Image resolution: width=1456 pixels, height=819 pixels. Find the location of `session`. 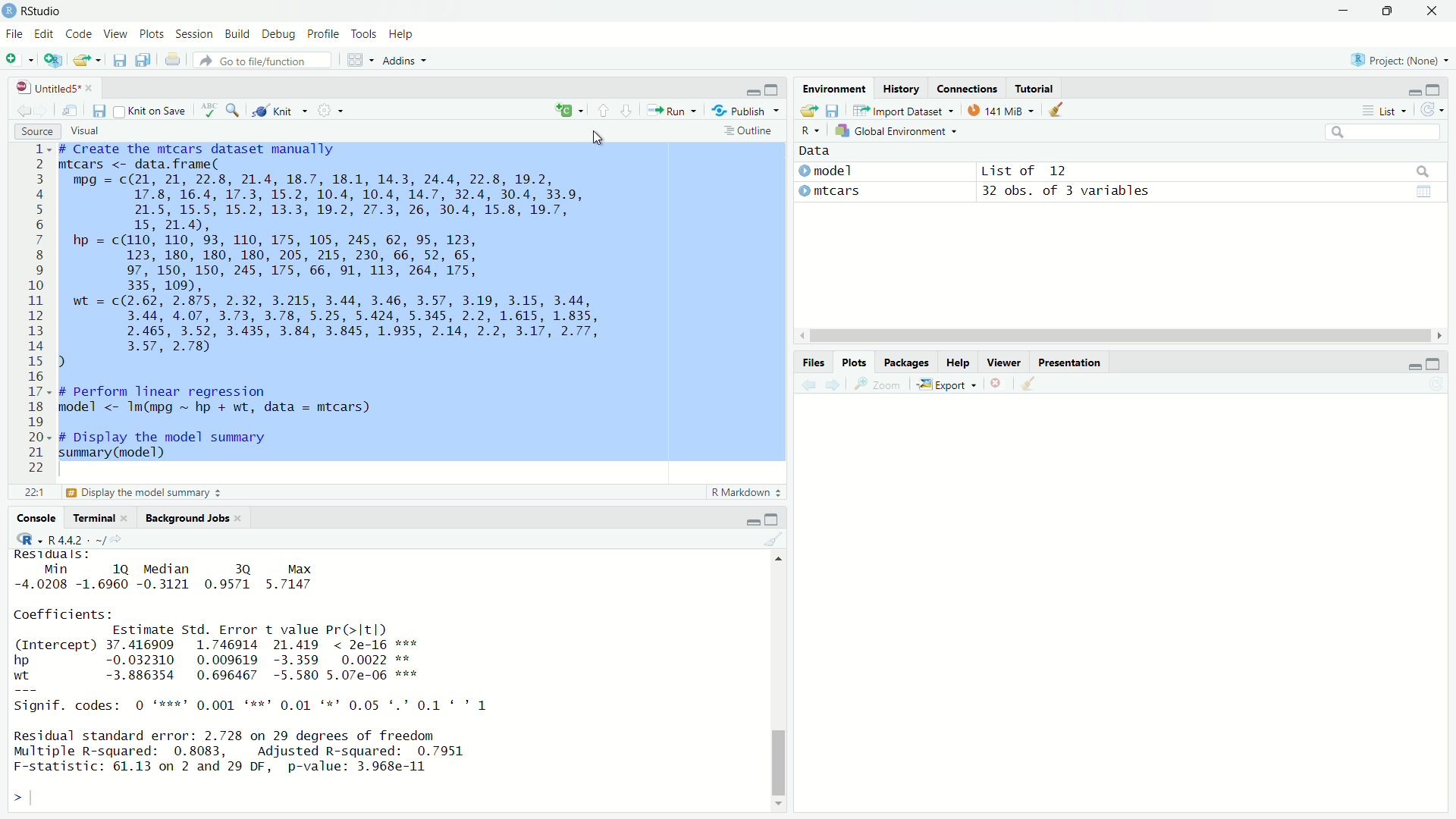

session is located at coordinates (194, 35).